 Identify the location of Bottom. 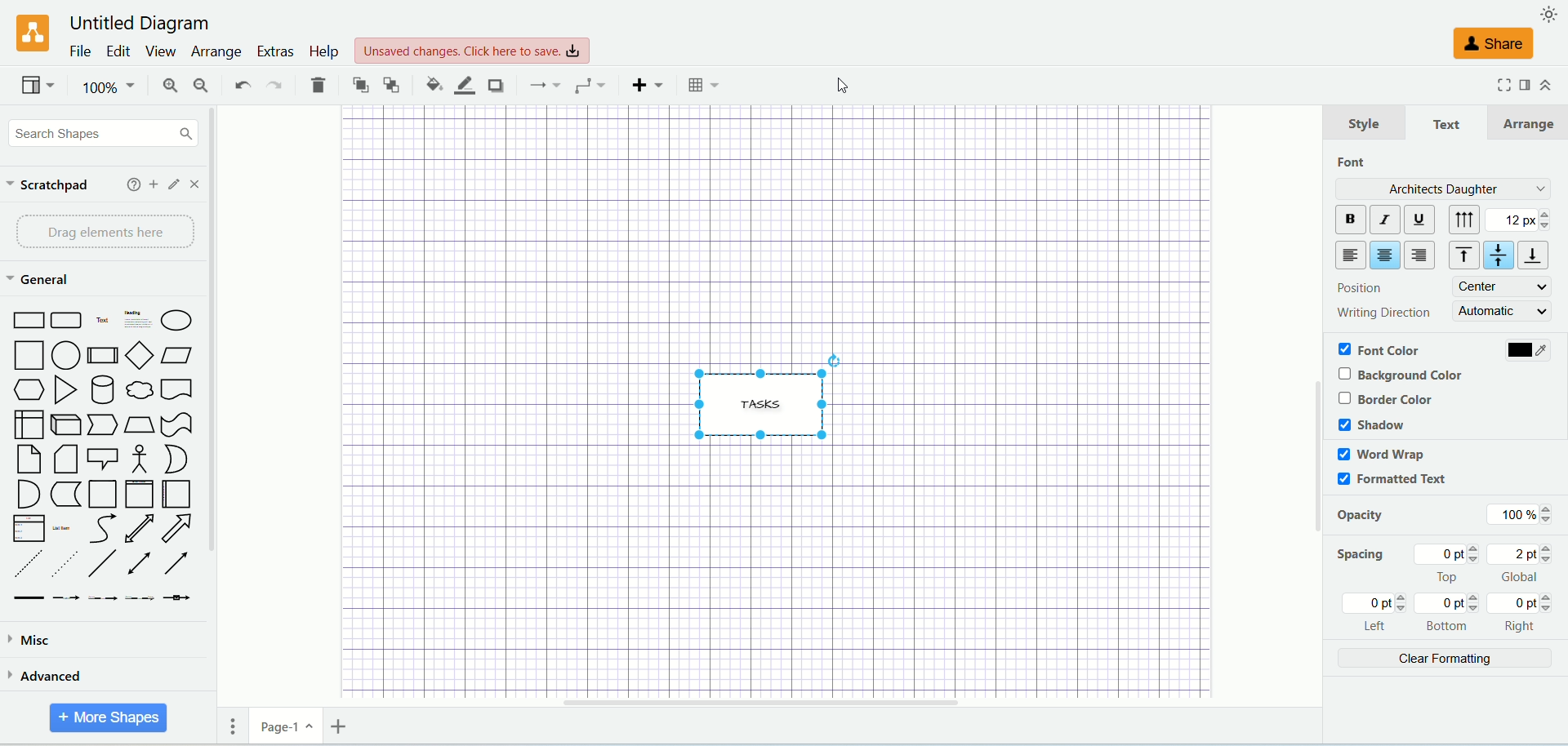
(1449, 614).